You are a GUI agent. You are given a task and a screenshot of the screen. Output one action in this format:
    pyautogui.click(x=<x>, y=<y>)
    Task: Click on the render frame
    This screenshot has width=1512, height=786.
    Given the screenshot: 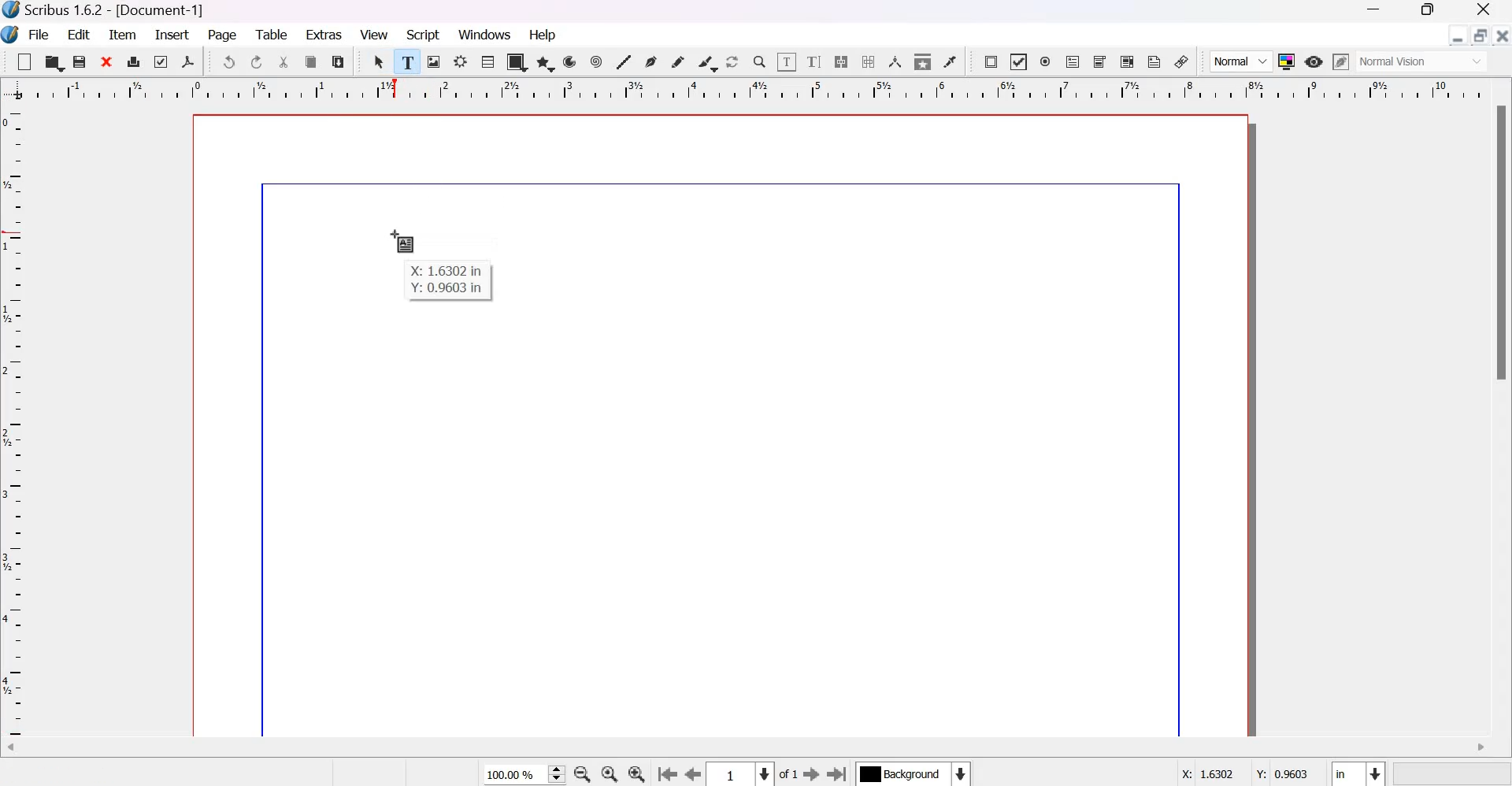 What is the action you would take?
    pyautogui.click(x=461, y=61)
    